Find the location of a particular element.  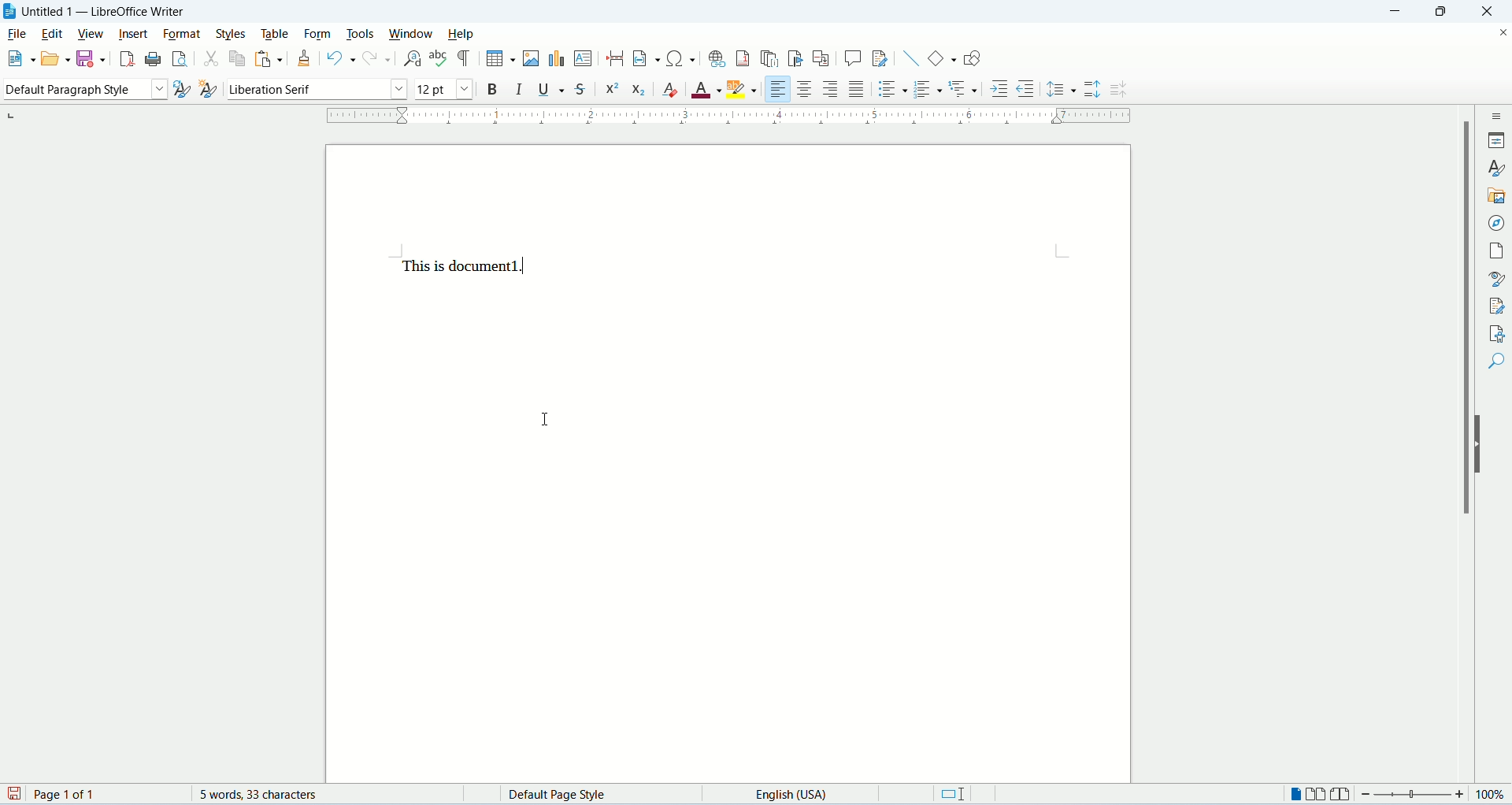

undo is located at coordinates (341, 61).